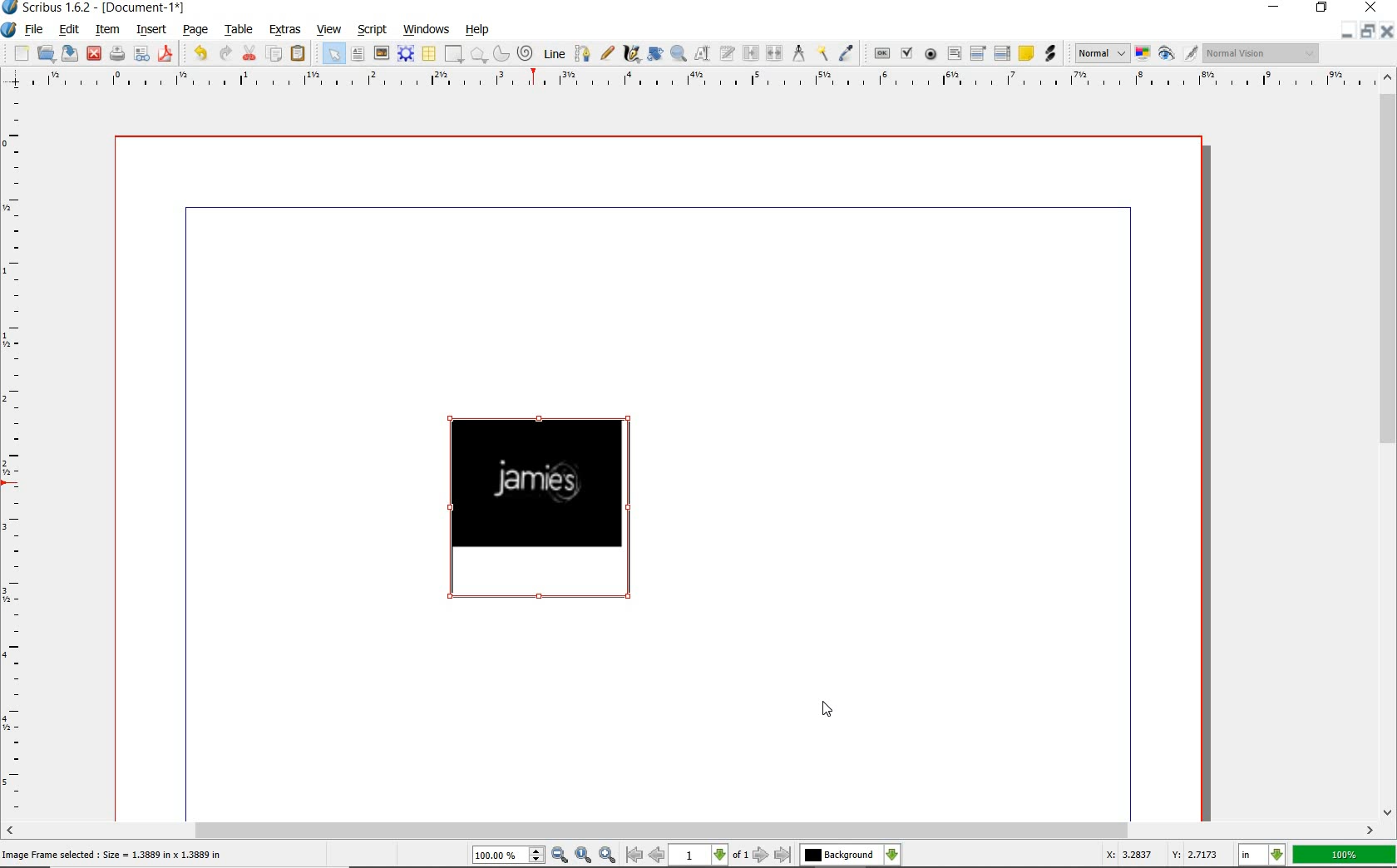 Image resolution: width=1397 pixels, height=868 pixels. What do you see at coordinates (224, 54) in the screenshot?
I see `UNDO` at bounding box center [224, 54].